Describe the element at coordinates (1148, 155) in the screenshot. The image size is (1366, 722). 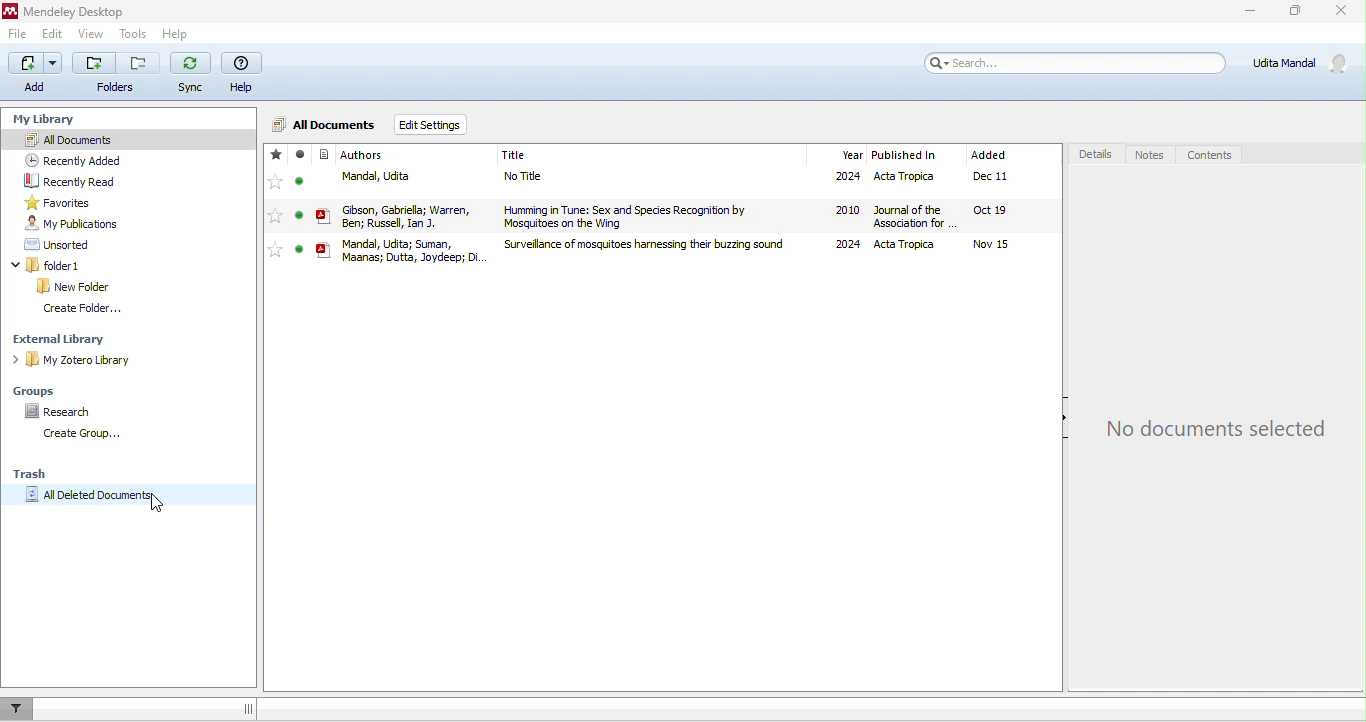
I see `notes` at that location.